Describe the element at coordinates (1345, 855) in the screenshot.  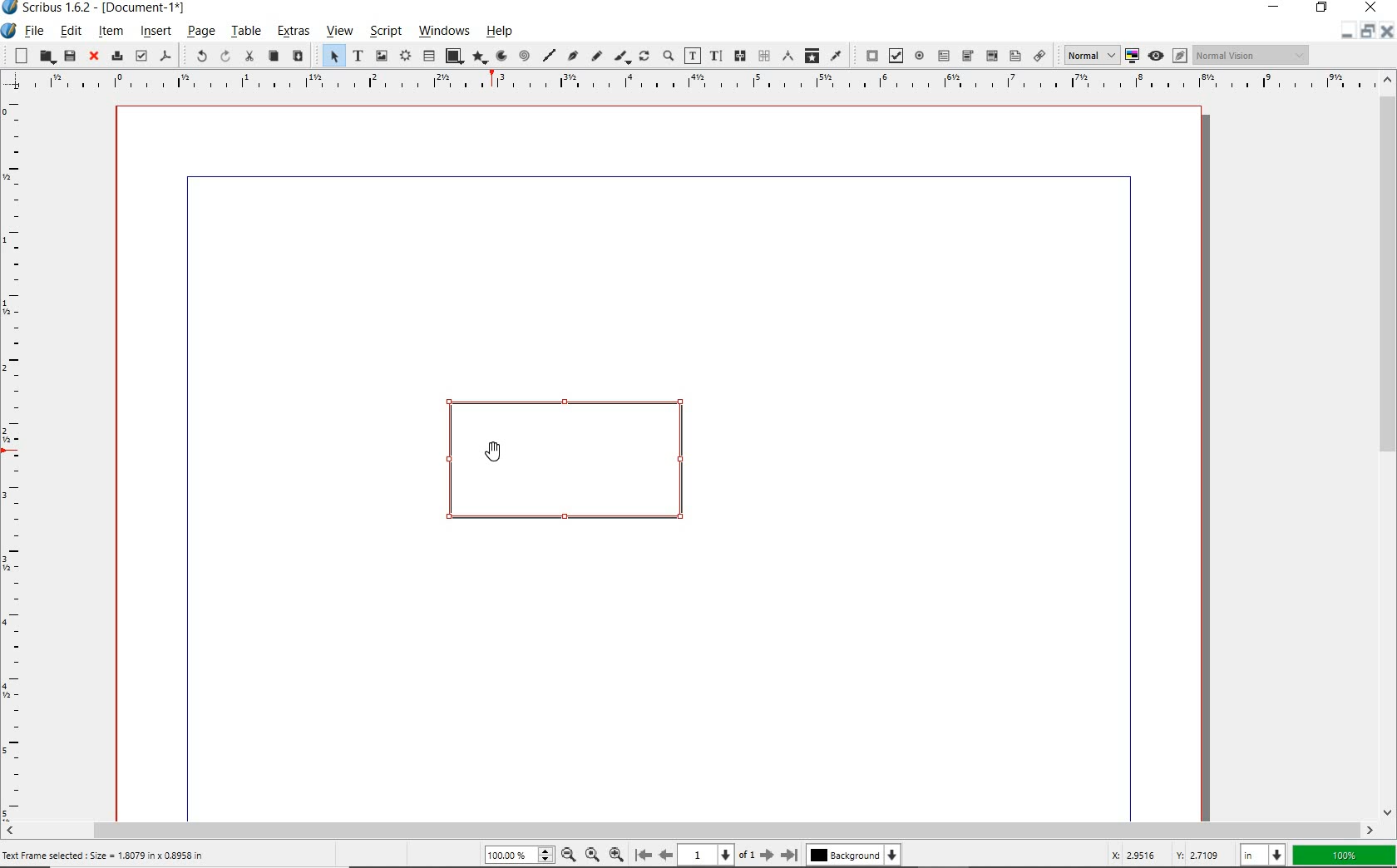
I see `zoom factor` at that location.